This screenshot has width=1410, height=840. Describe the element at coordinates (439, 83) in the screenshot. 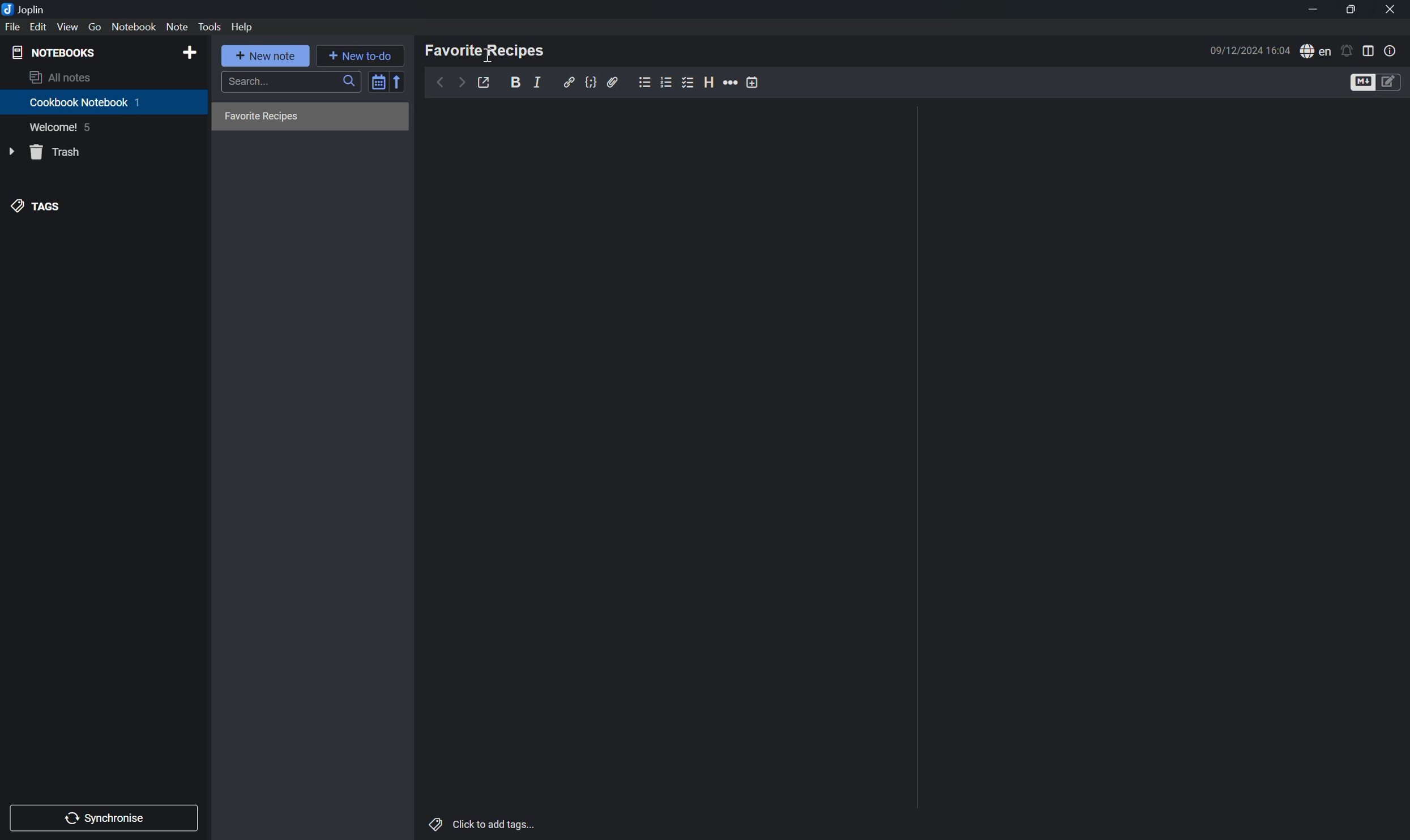

I see `Back` at that location.